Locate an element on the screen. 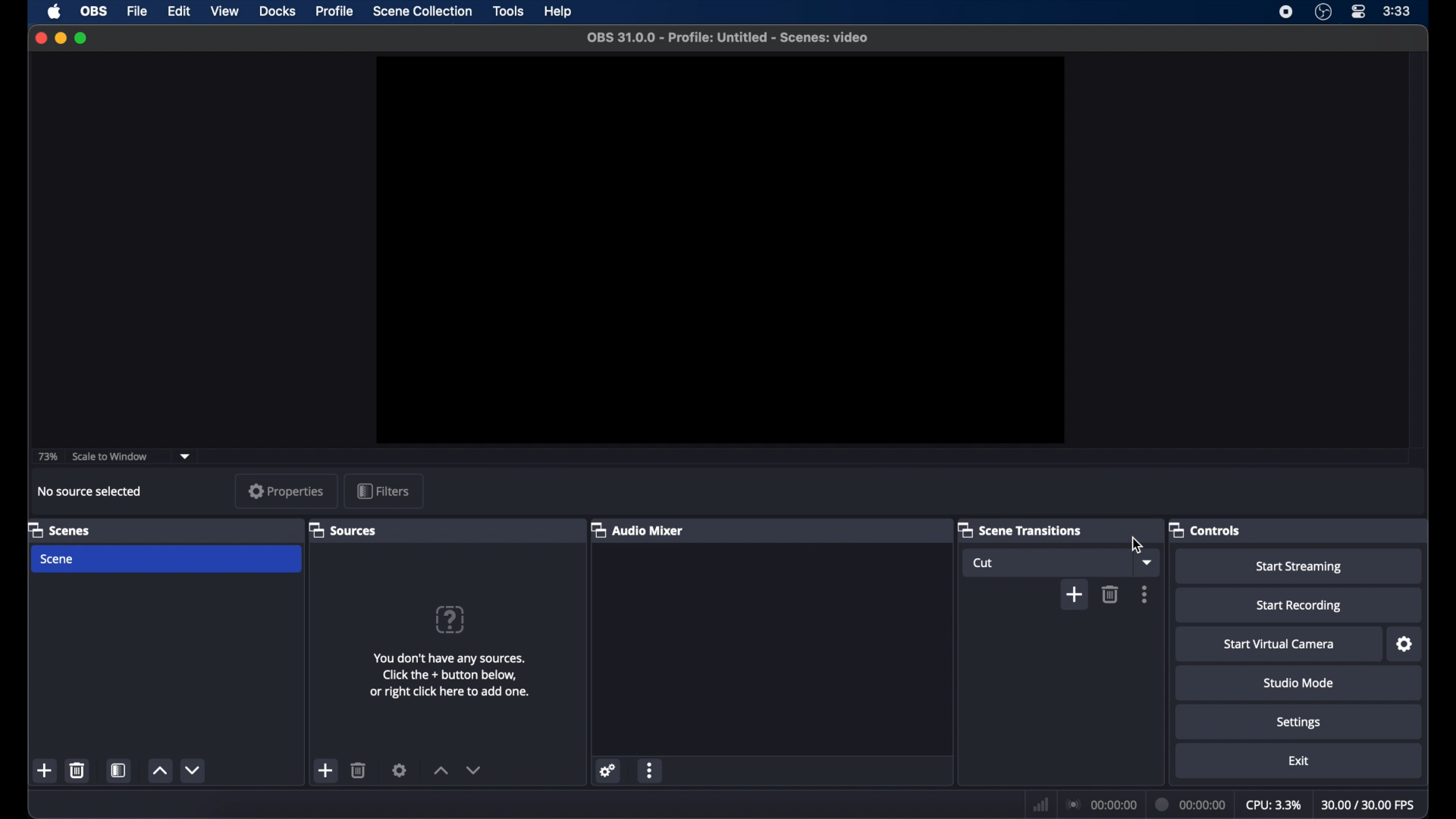 Image resolution: width=1456 pixels, height=819 pixels. preview is located at coordinates (719, 250).